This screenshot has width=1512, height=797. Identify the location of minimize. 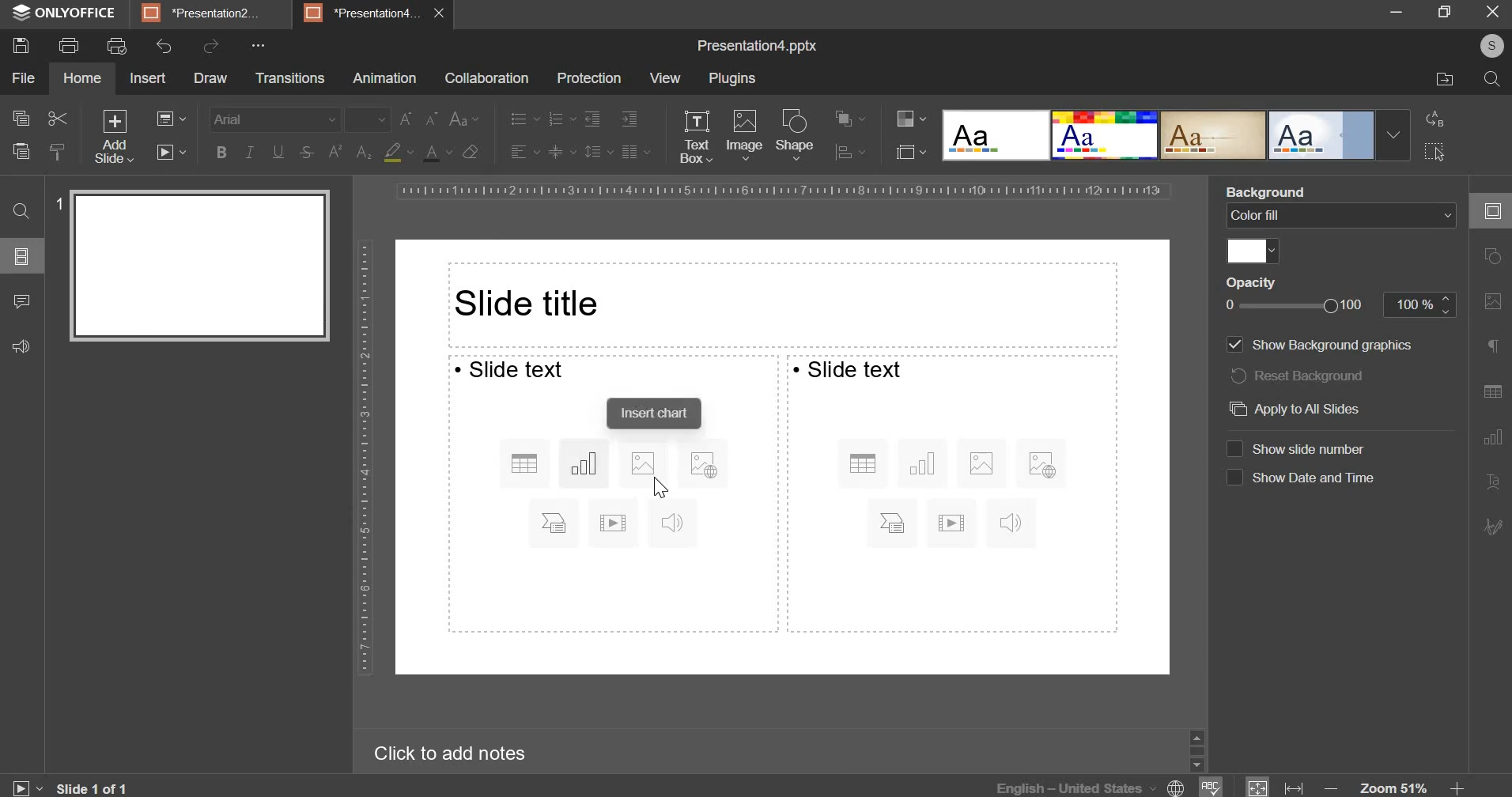
(1397, 13).